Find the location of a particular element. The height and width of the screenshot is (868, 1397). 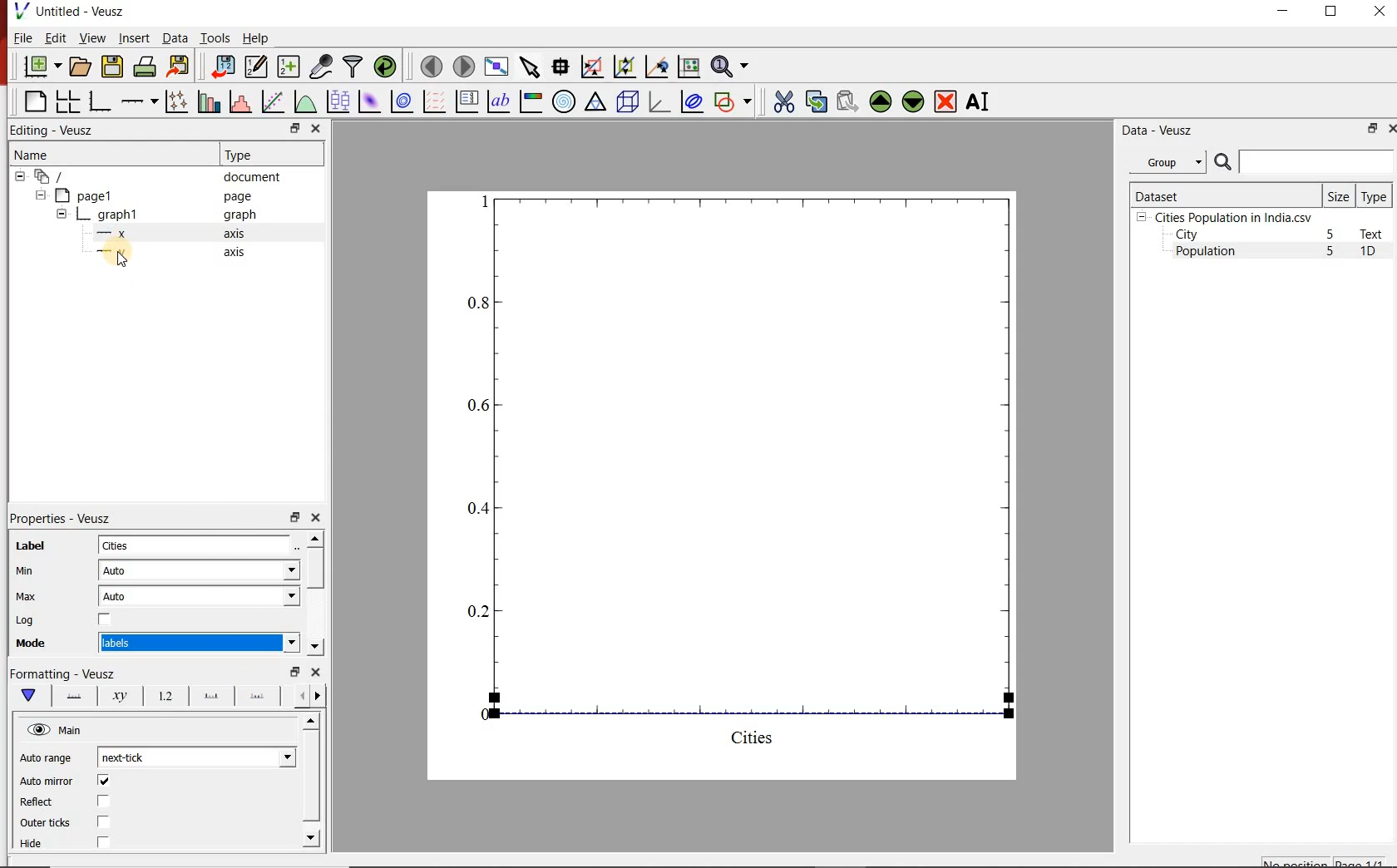

click to recenter graph axes is located at coordinates (655, 67).